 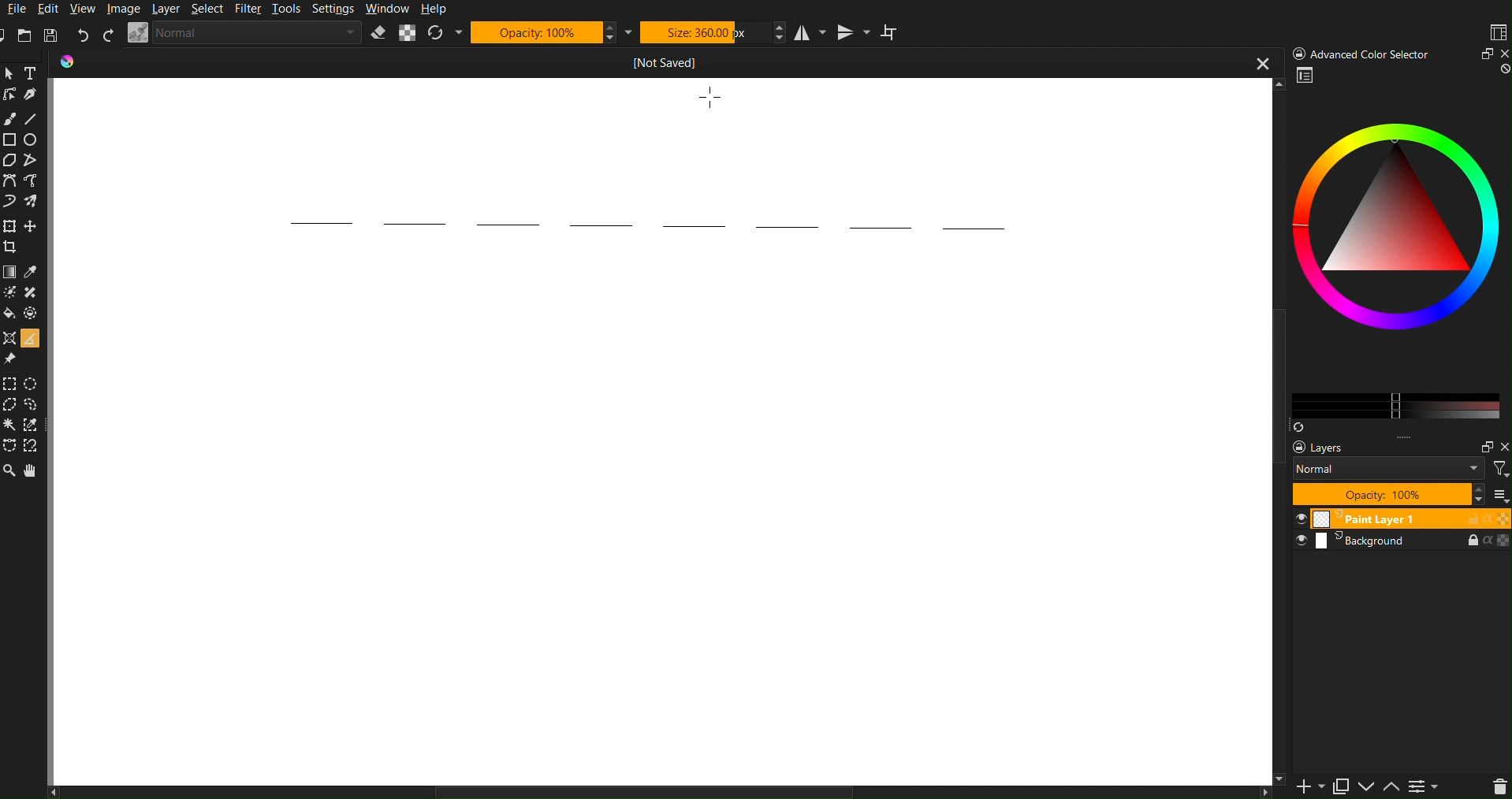 What do you see at coordinates (83, 35) in the screenshot?
I see `Undo` at bounding box center [83, 35].